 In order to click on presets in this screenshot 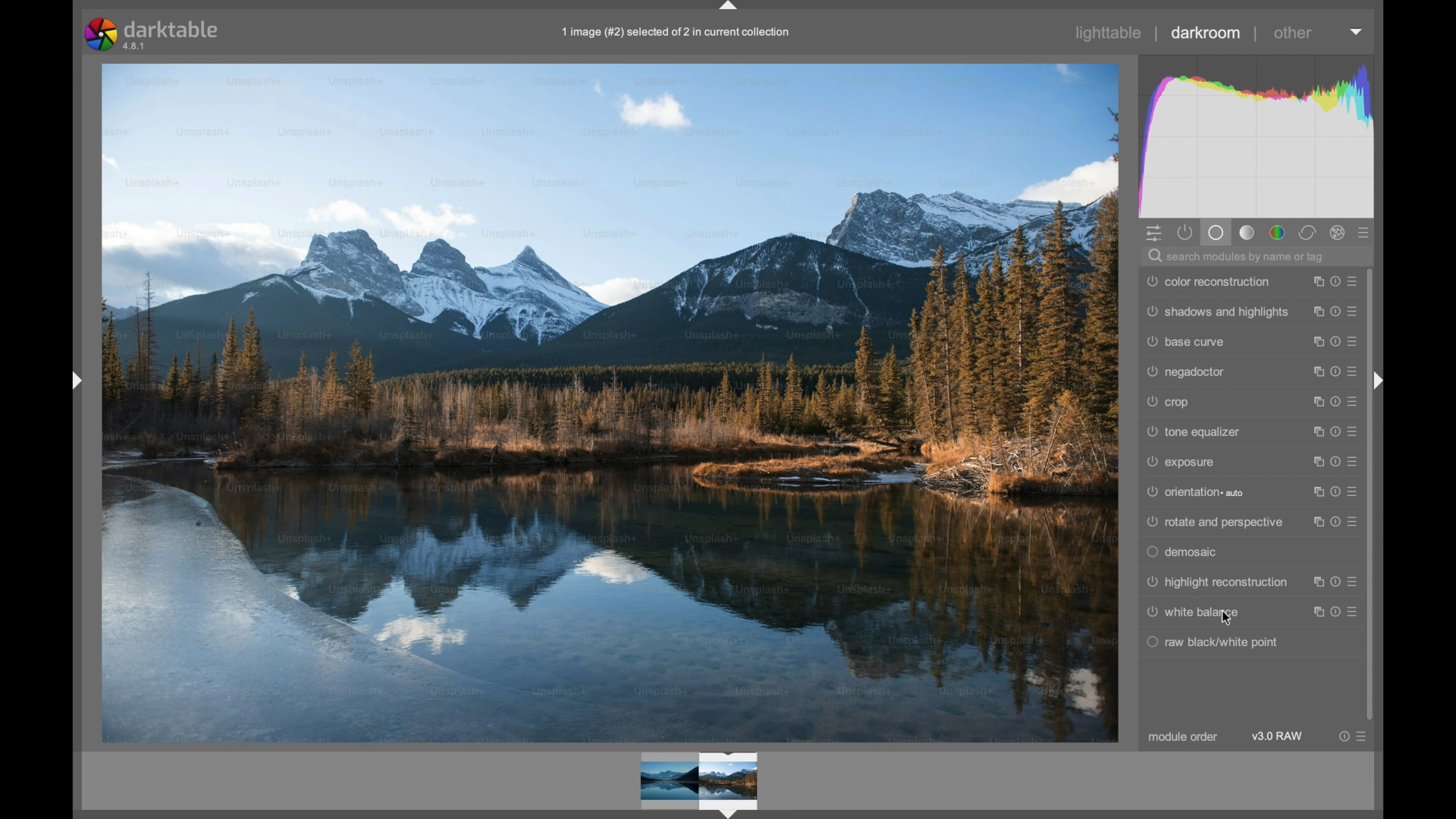, I will do `click(1357, 372)`.